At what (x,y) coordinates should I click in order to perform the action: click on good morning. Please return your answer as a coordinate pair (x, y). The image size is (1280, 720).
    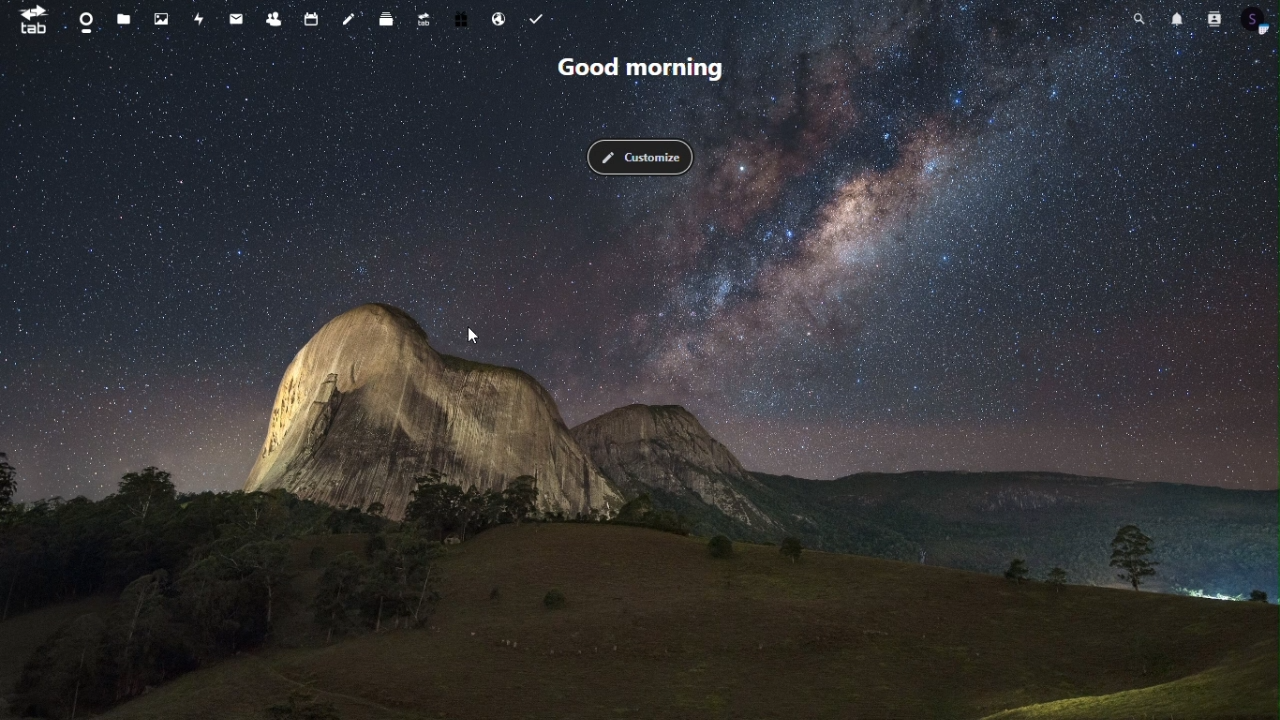
    Looking at the image, I should click on (644, 67).